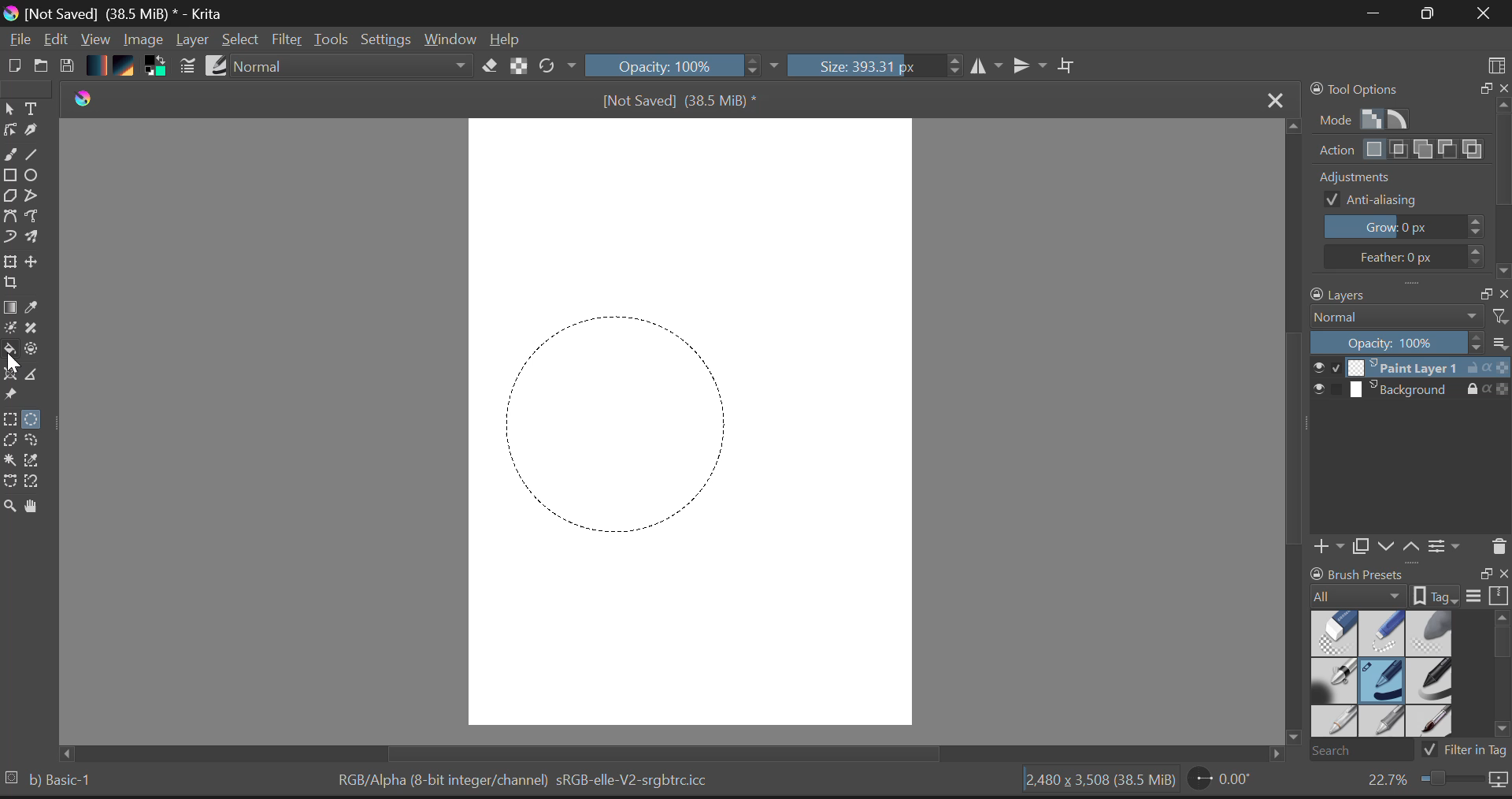 This screenshot has height=799, width=1512. Describe the element at coordinates (1067, 66) in the screenshot. I see `Crop` at that location.